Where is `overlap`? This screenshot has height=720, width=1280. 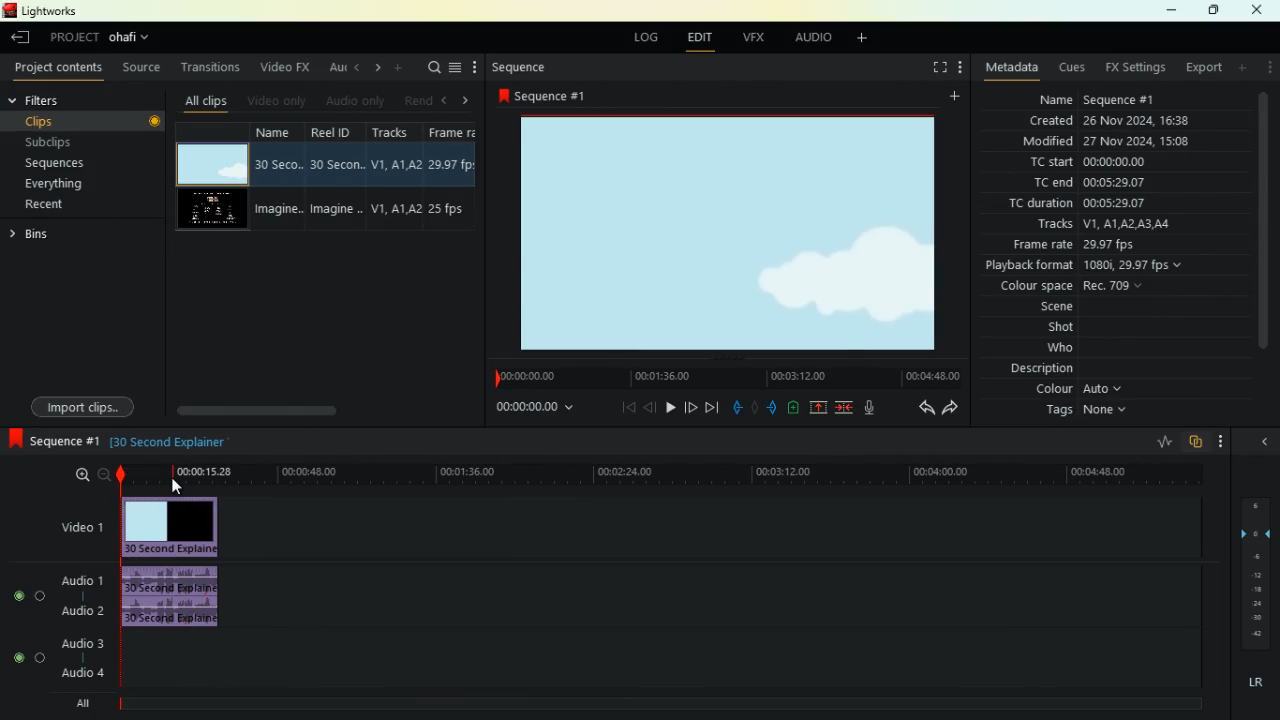 overlap is located at coordinates (1196, 441).